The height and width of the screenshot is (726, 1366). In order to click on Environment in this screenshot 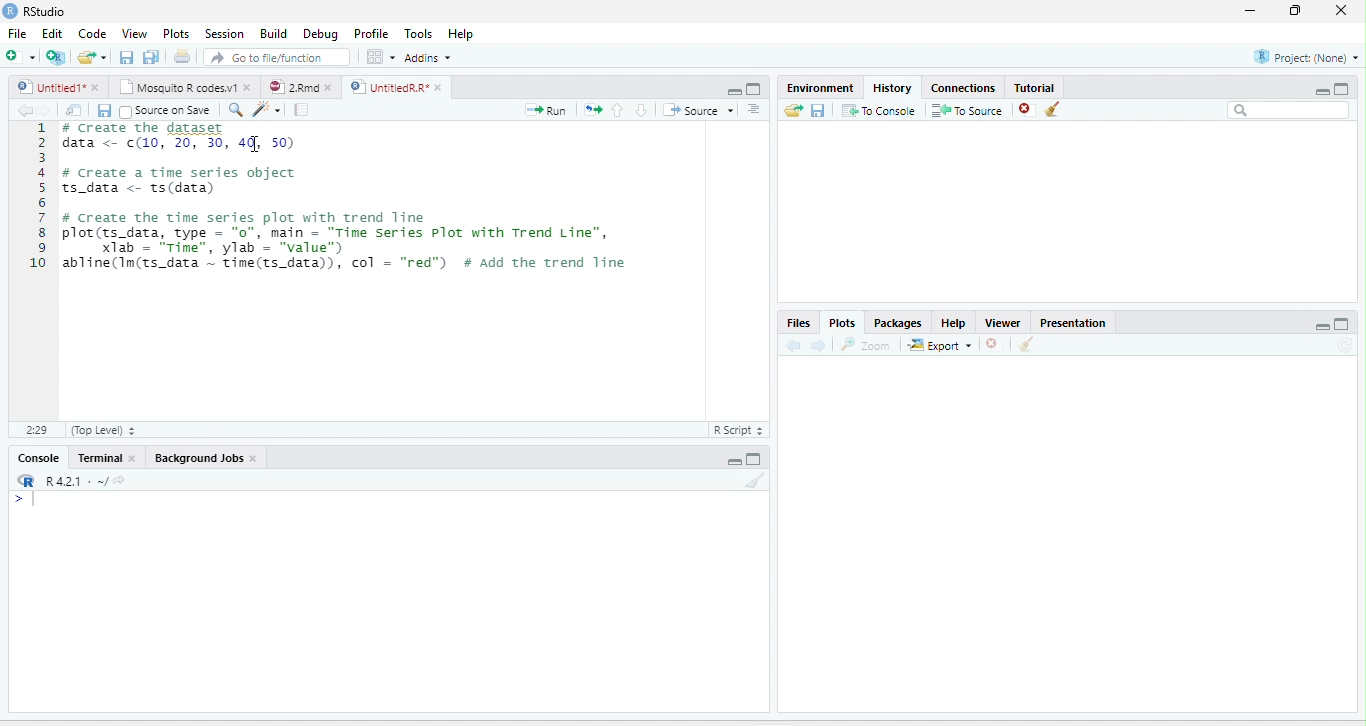, I will do `click(822, 87)`.